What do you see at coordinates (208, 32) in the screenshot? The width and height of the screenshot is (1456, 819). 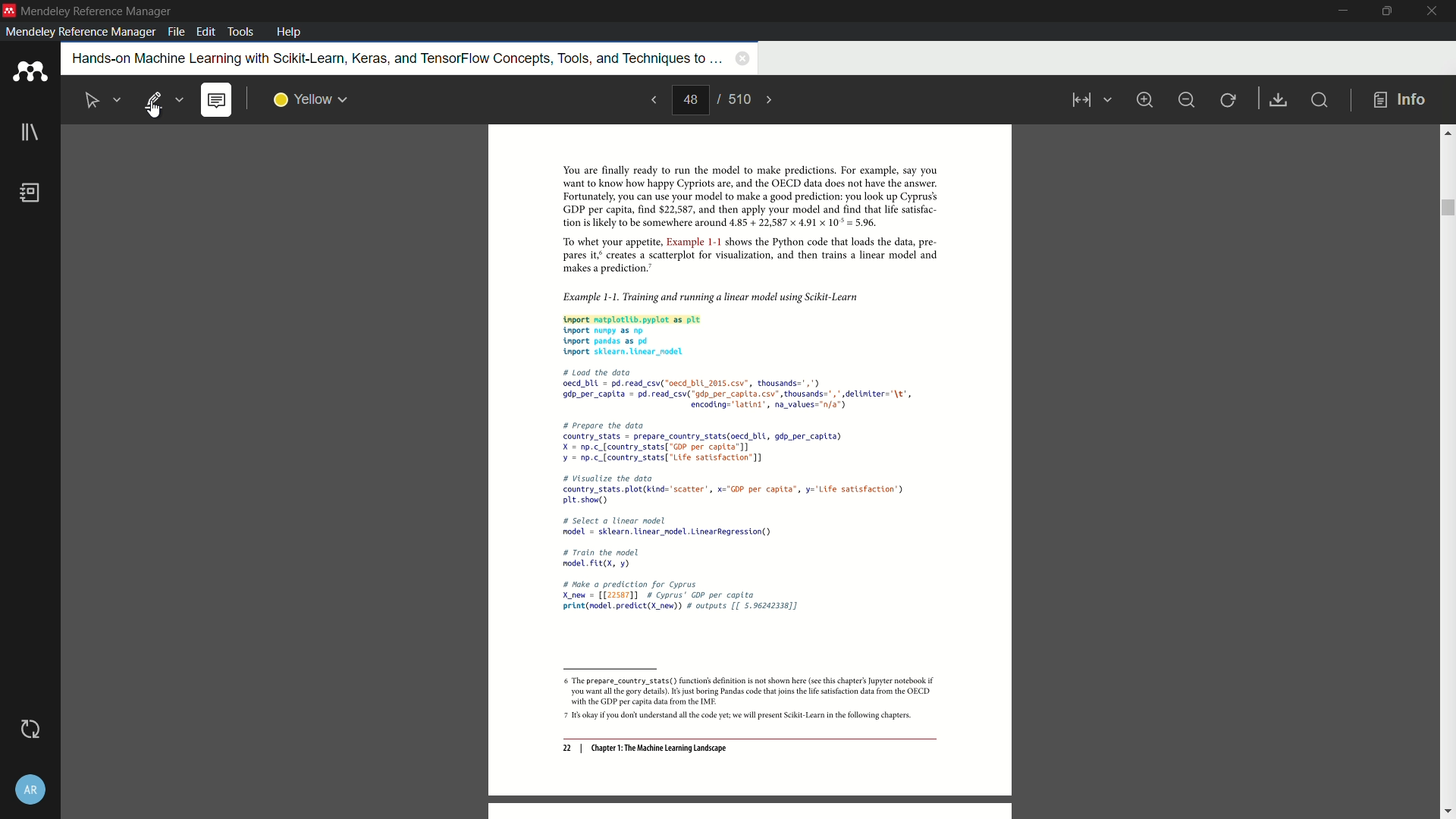 I see `edit menu` at bounding box center [208, 32].